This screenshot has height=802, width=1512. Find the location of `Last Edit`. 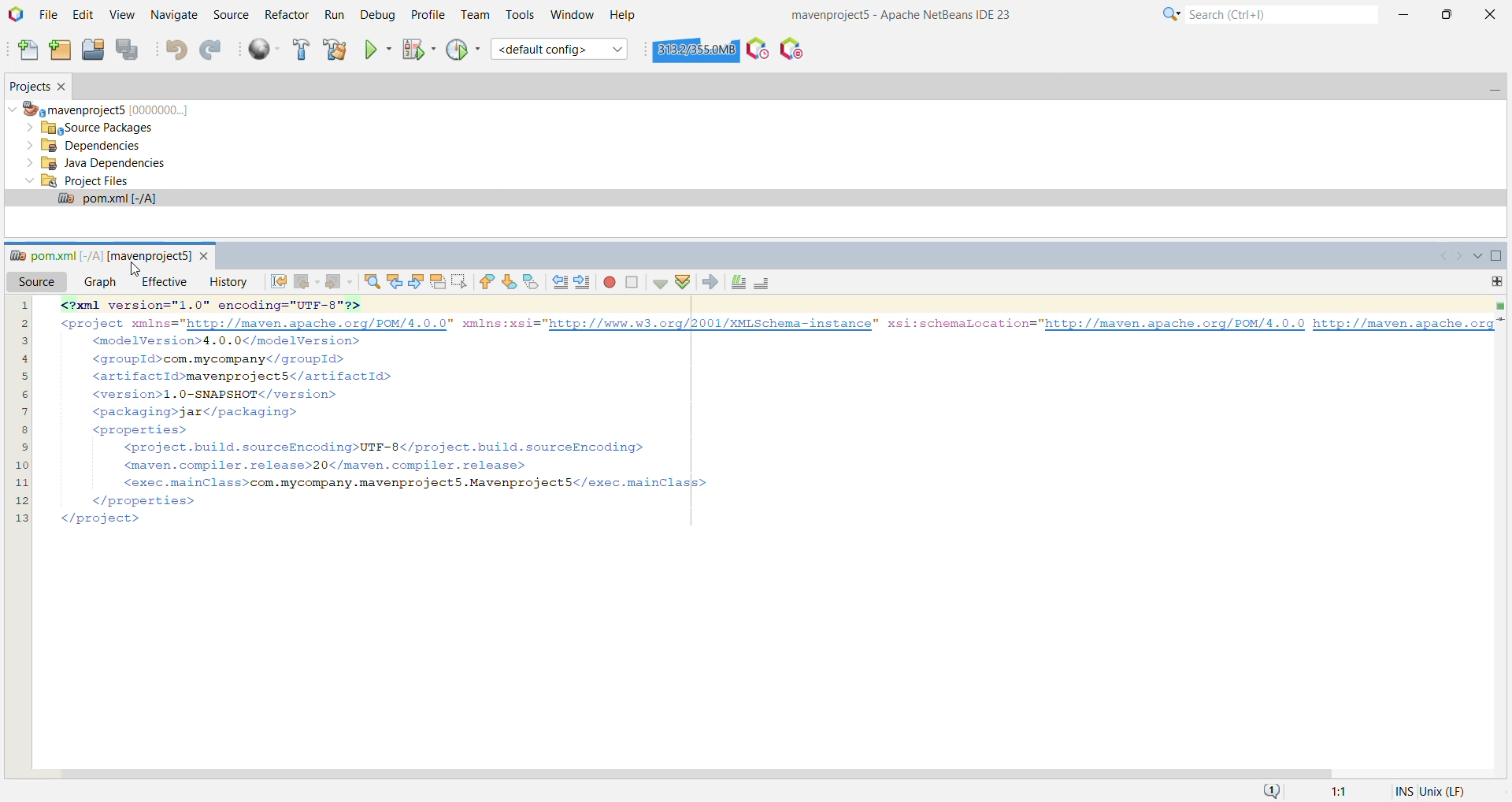

Last Edit is located at coordinates (274, 282).